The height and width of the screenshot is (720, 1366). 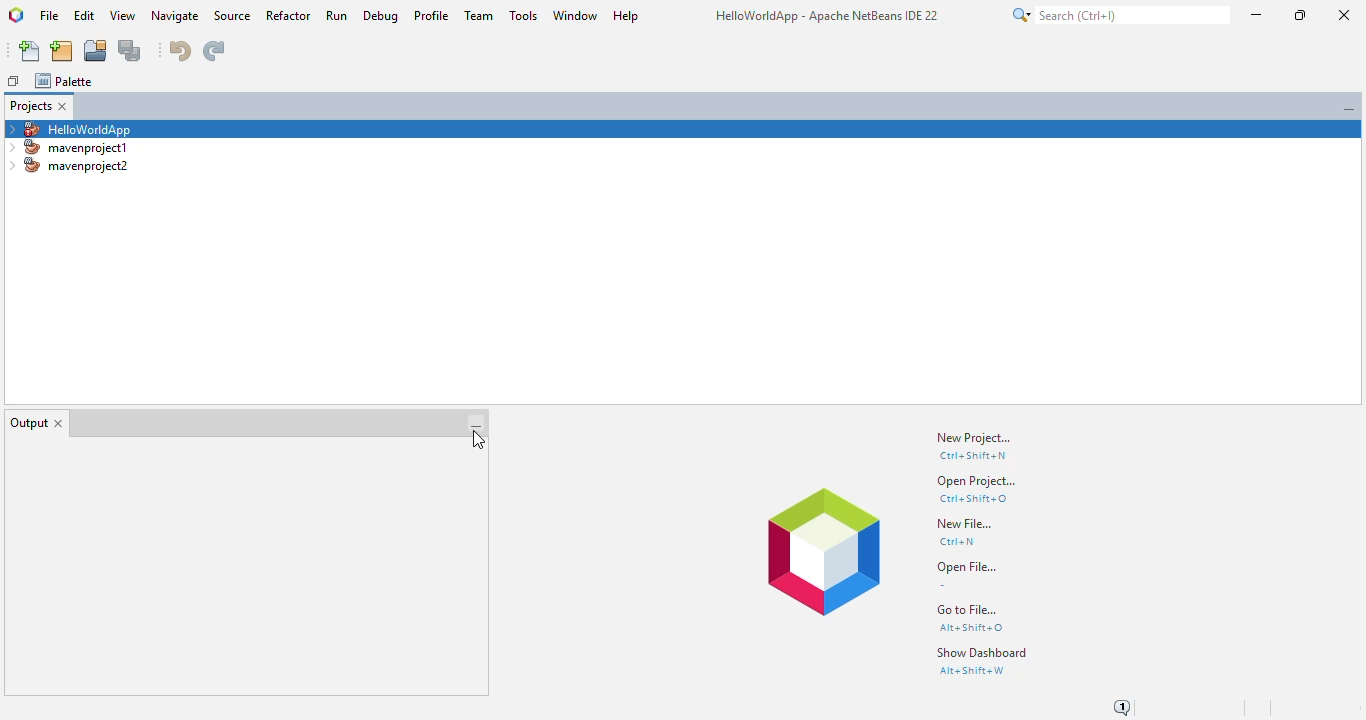 What do you see at coordinates (968, 609) in the screenshot?
I see `go to file` at bounding box center [968, 609].